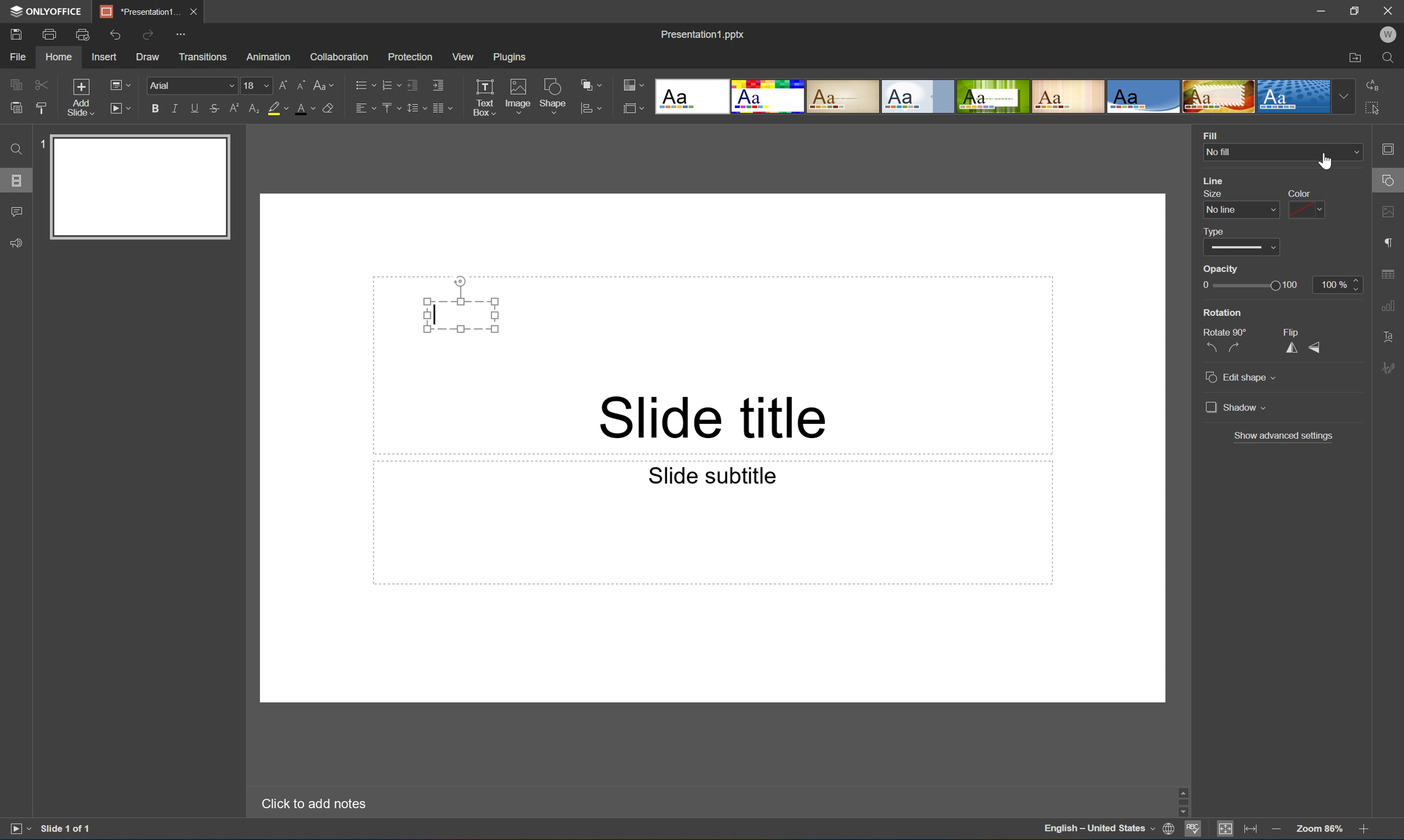  What do you see at coordinates (1391, 367) in the screenshot?
I see `Signature settings` at bounding box center [1391, 367].